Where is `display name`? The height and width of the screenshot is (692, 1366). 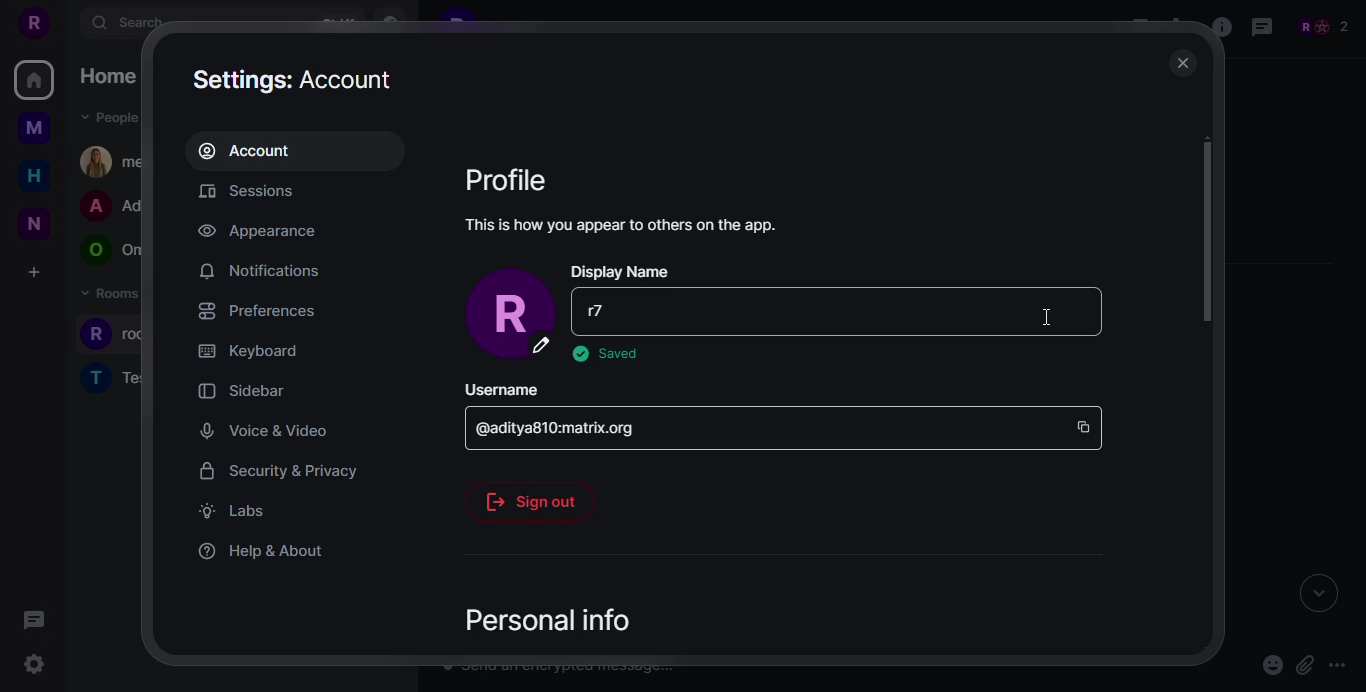
display name is located at coordinates (622, 271).